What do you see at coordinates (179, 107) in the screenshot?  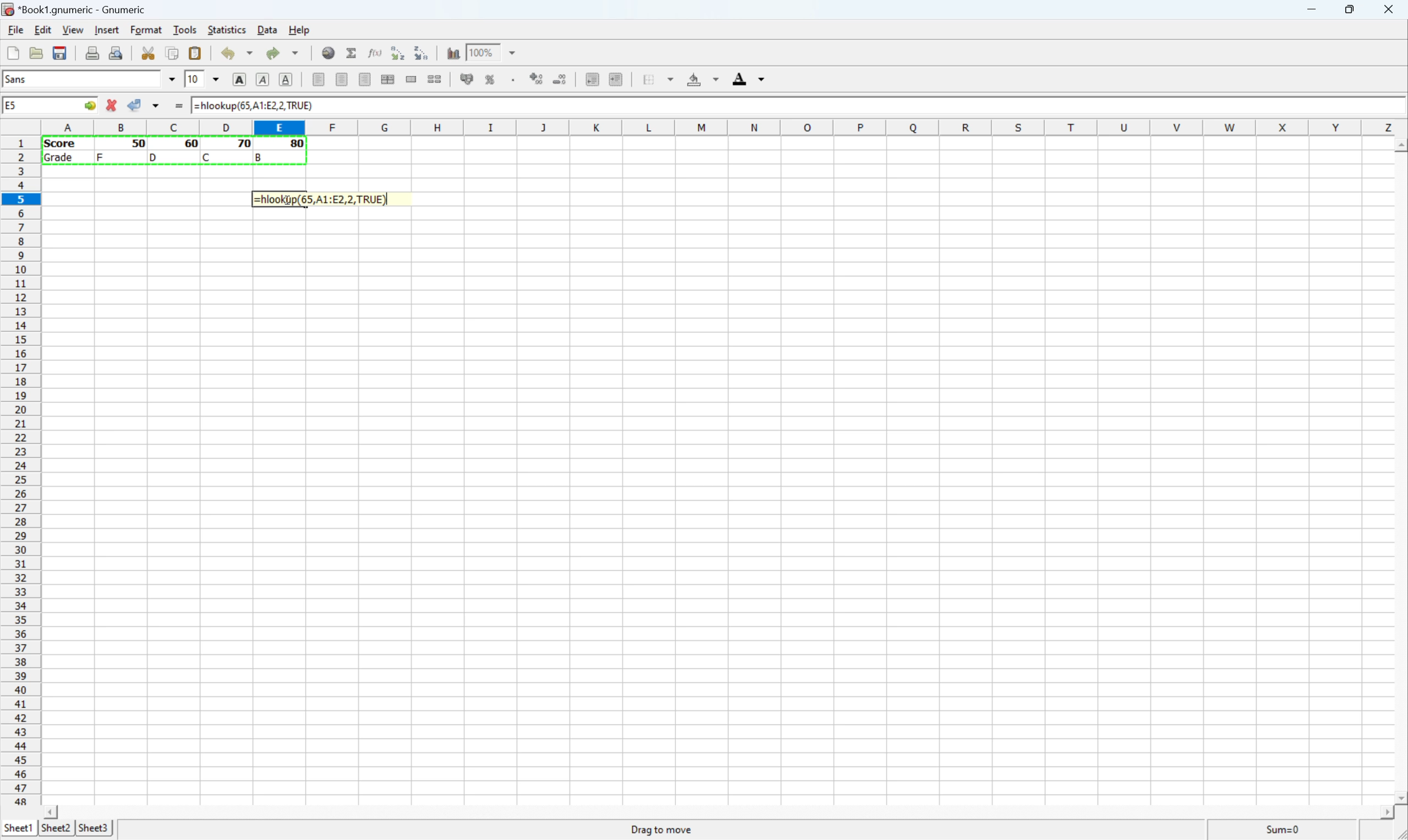 I see `Enter formula` at bounding box center [179, 107].